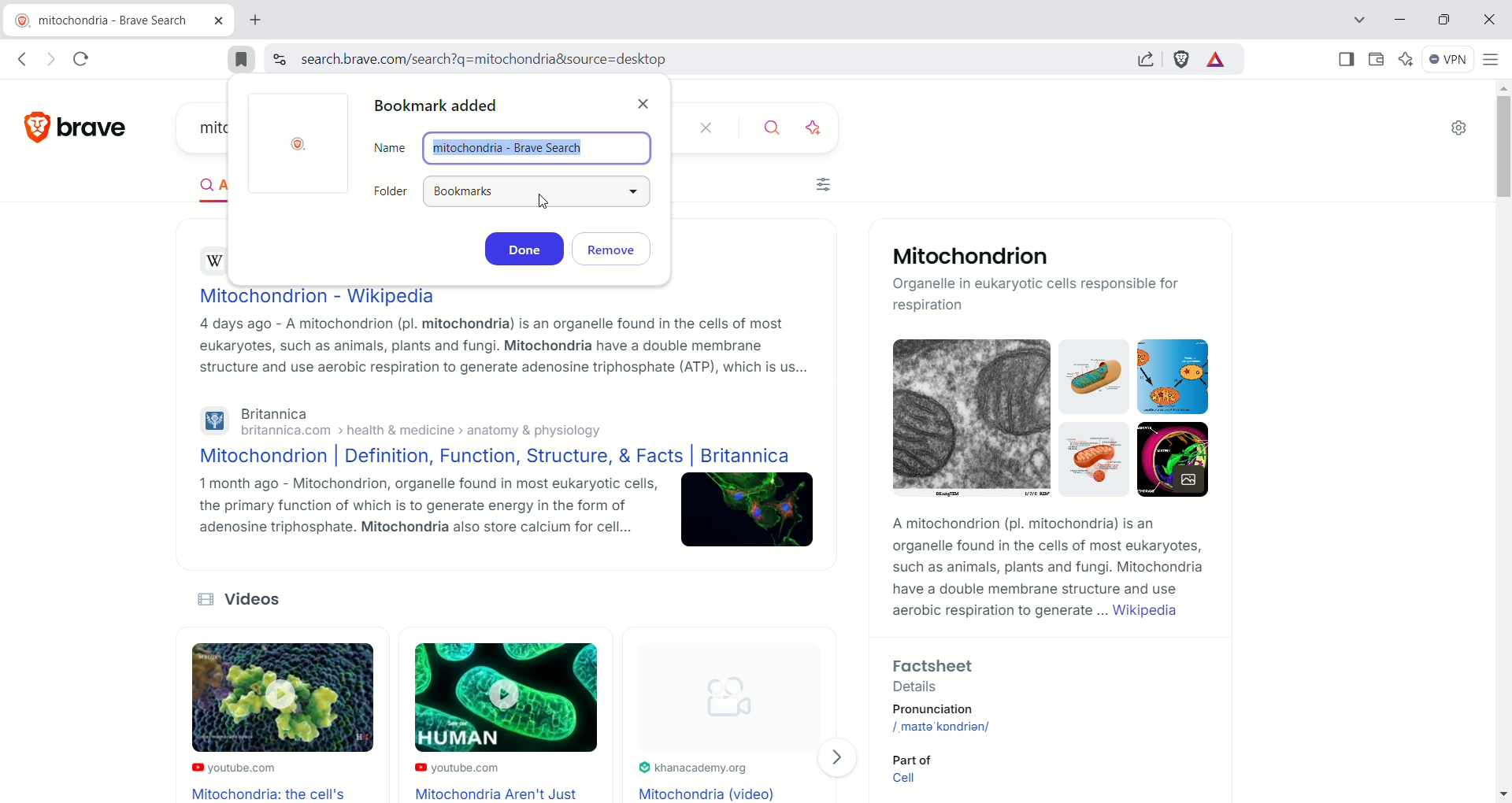  I want to click on Mitochondrion - Wikipedia, so click(316, 294).